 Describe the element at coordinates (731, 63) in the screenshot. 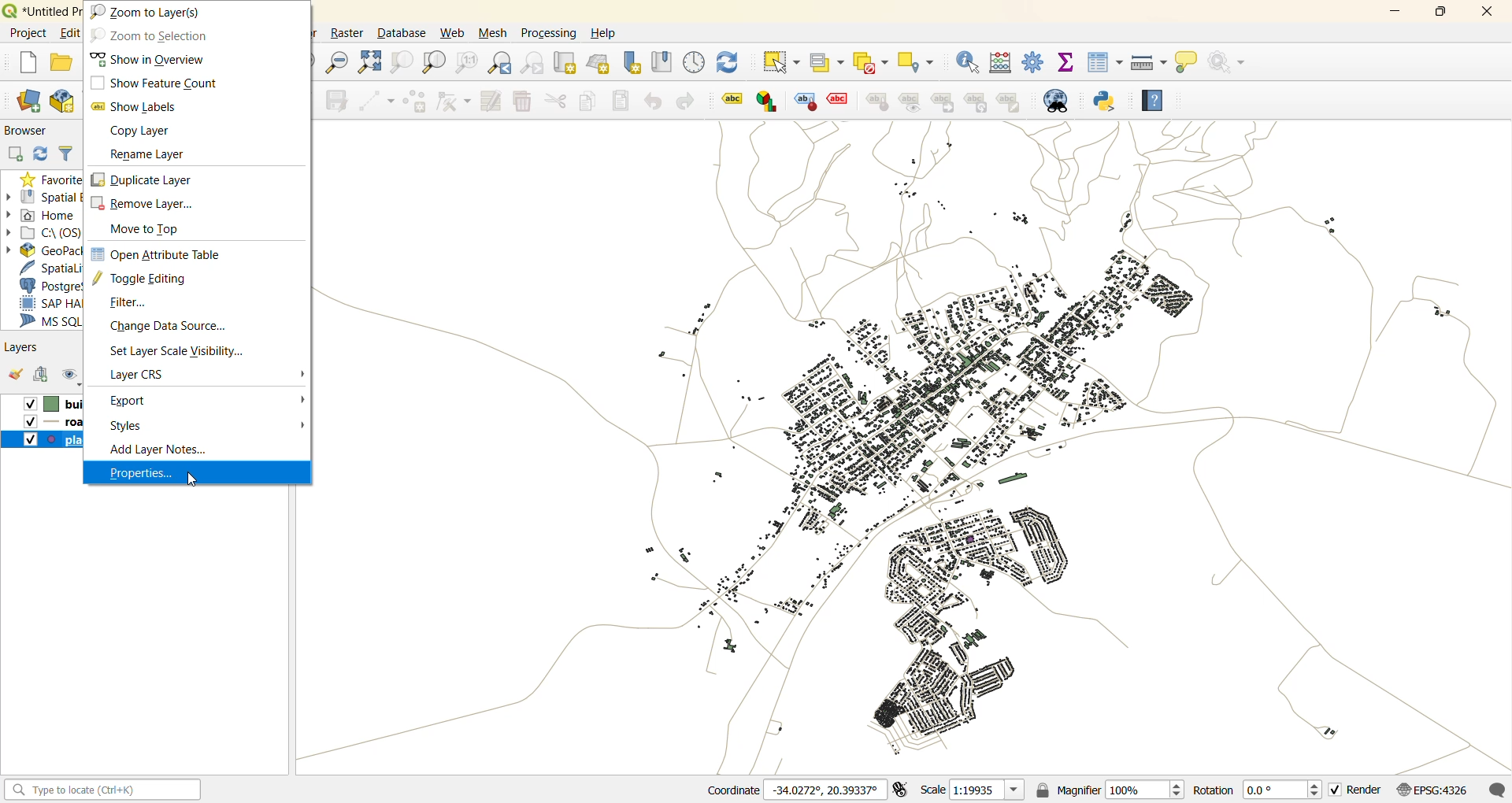

I see `refresh` at that location.